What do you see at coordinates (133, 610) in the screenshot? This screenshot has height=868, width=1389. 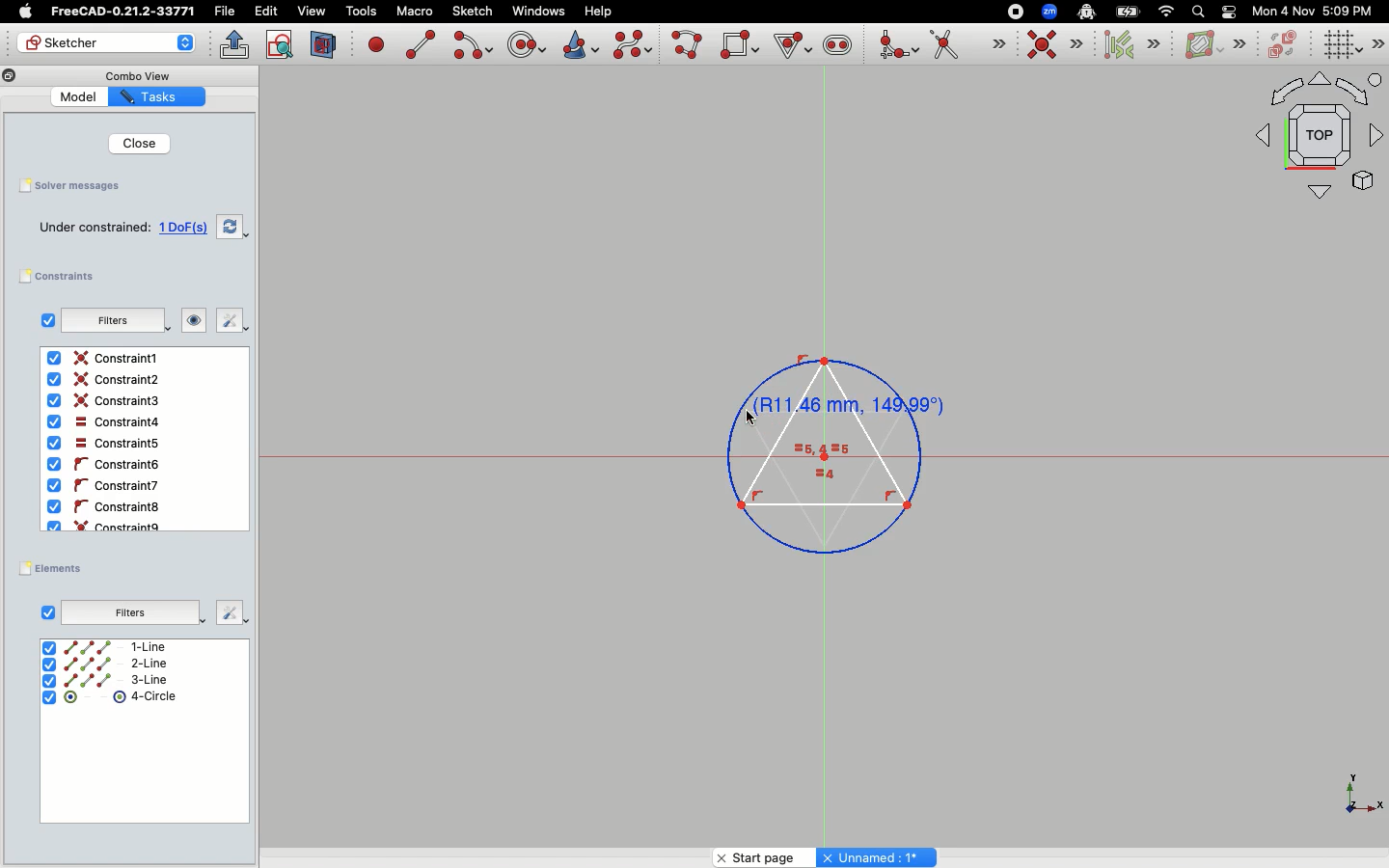 I see `Filters` at bounding box center [133, 610].